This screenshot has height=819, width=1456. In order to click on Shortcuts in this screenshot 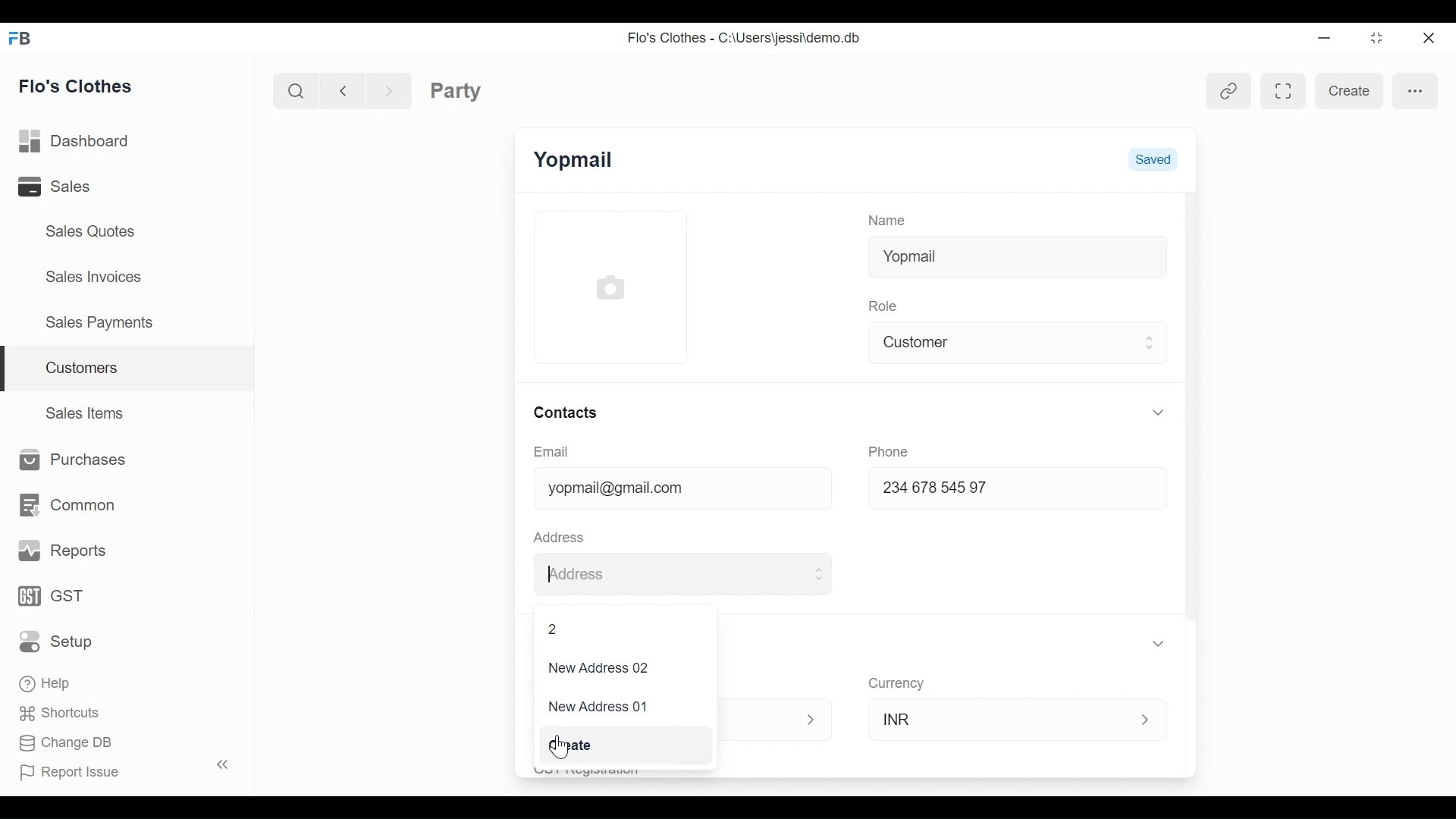, I will do `click(55, 712)`.